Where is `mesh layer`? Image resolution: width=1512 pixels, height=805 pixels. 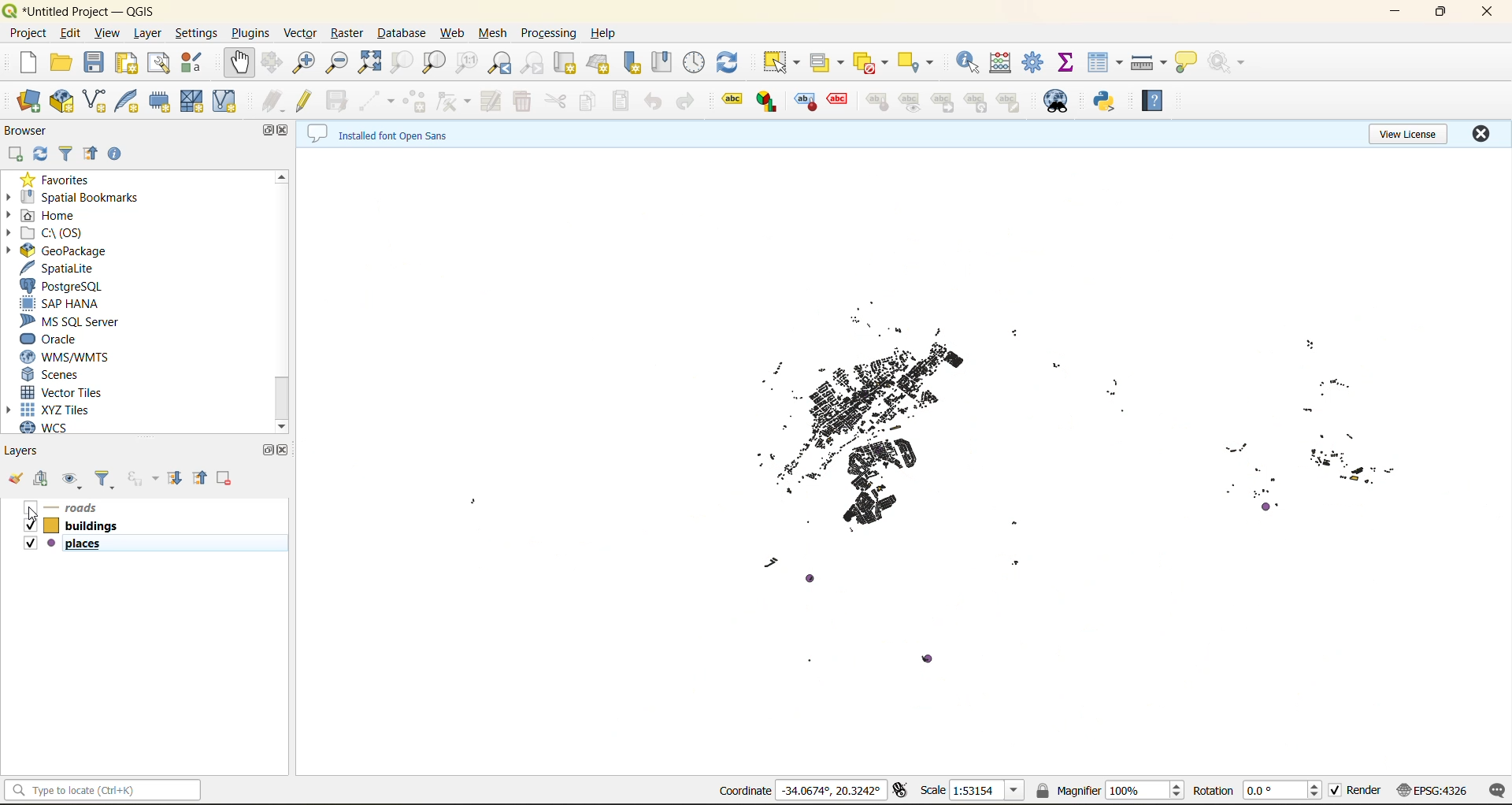
mesh layer is located at coordinates (193, 102).